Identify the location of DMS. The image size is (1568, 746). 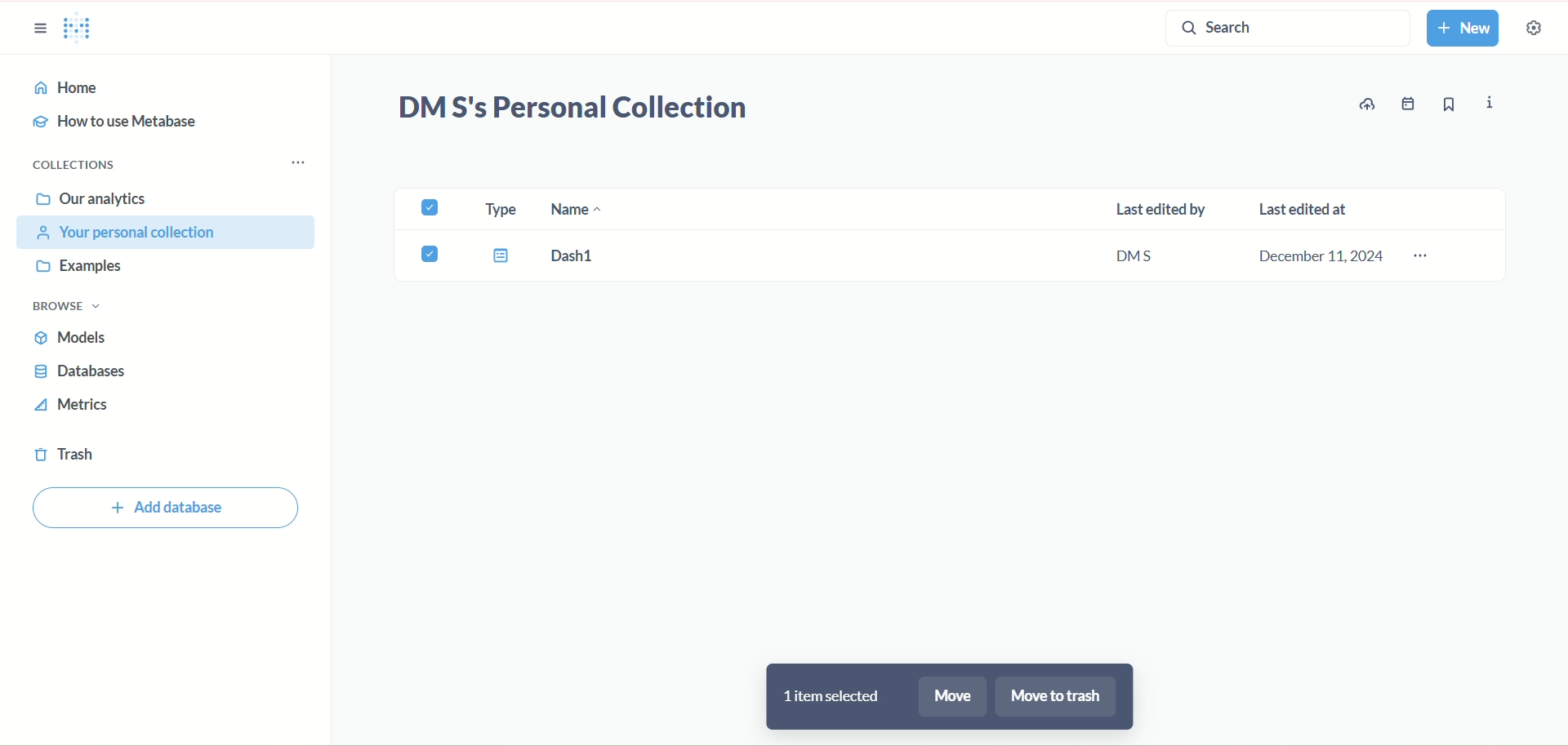
(1130, 253).